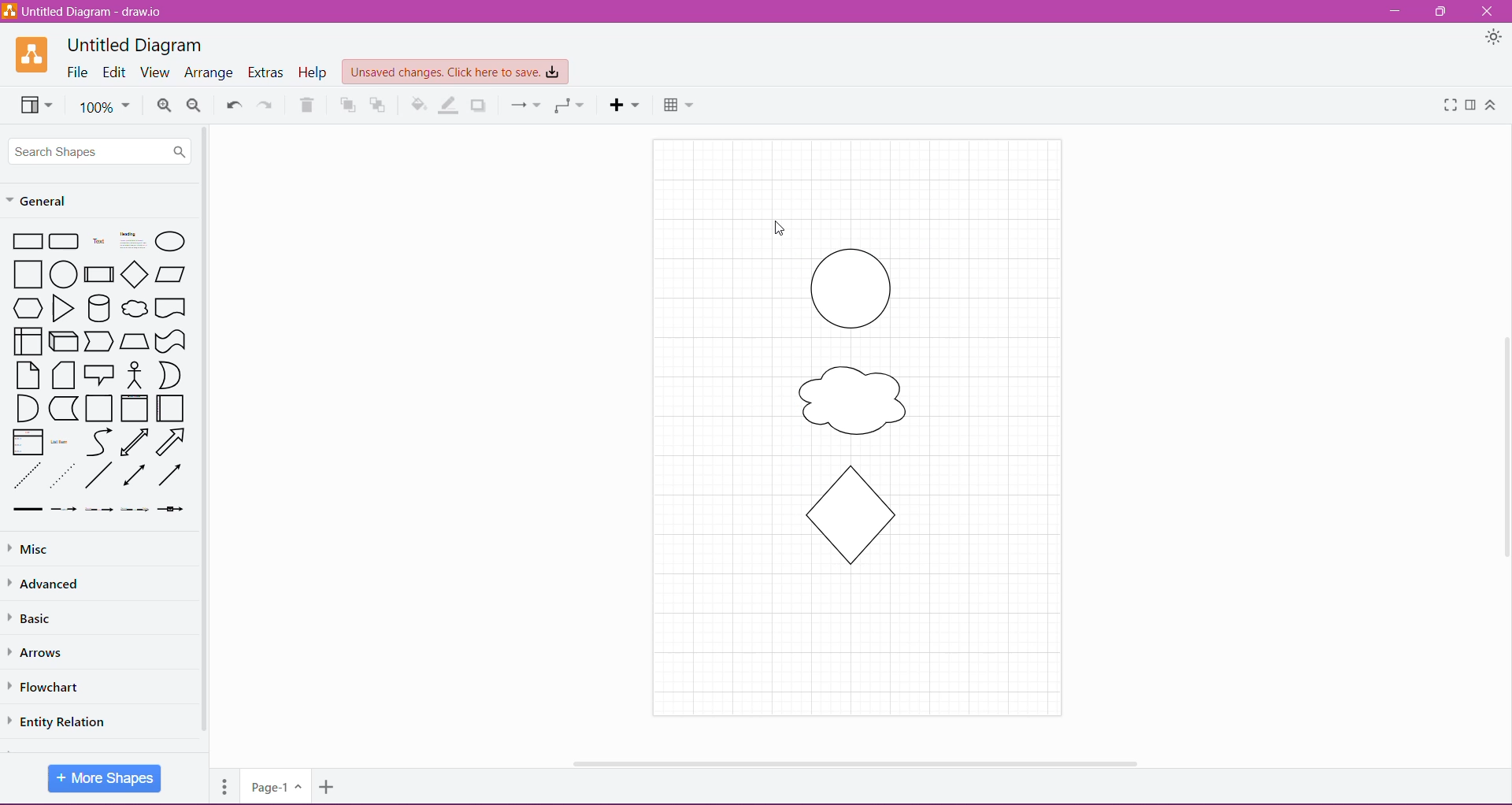 The image size is (1512, 805). Describe the element at coordinates (1471, 105) in the screenshot. I see `Format` at that location.